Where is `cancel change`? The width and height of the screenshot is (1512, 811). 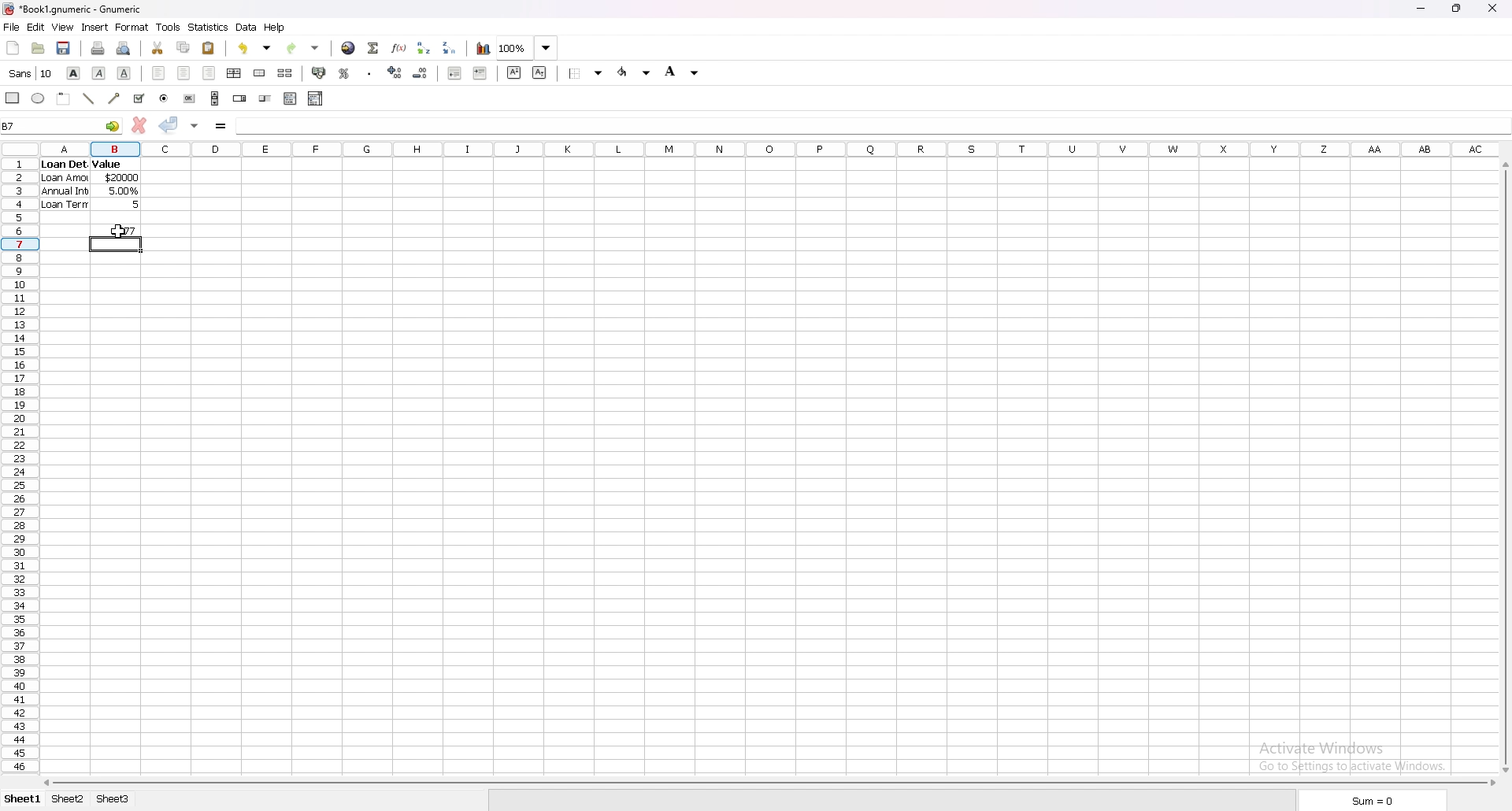
cancel change is located at coordinates (139, 124).